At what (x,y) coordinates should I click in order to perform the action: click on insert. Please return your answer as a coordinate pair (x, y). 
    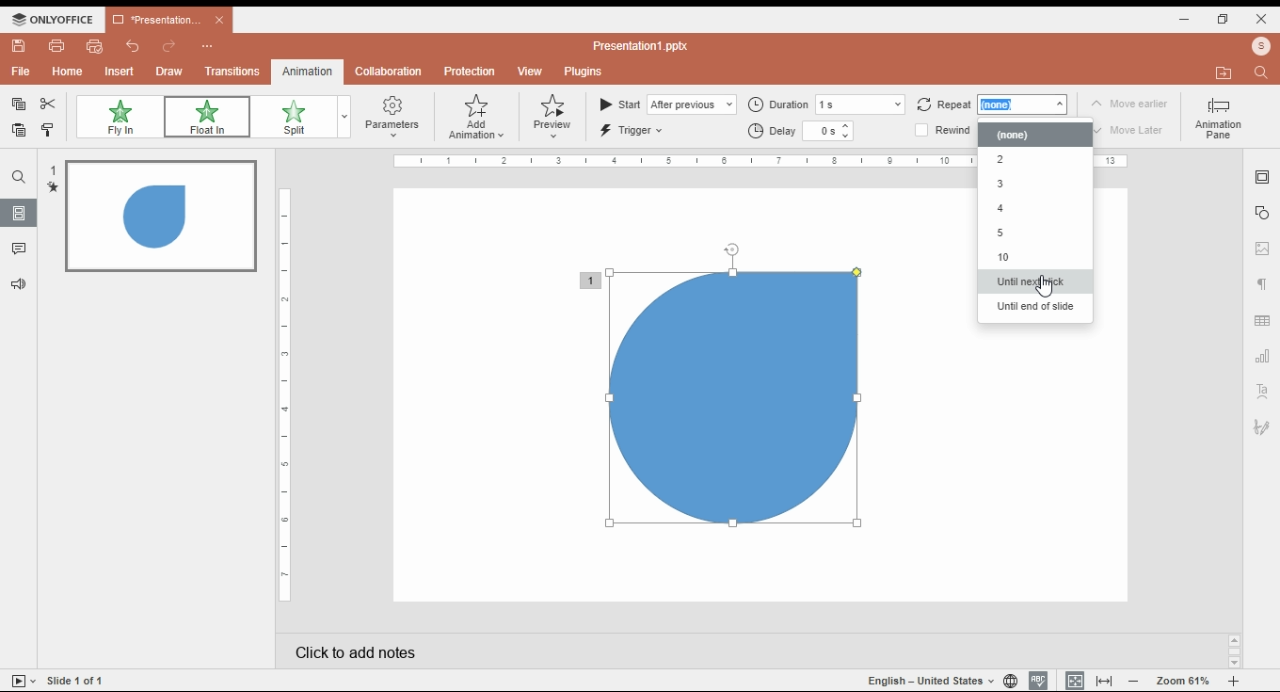
    Looking at the image, I should click on (120, 71).